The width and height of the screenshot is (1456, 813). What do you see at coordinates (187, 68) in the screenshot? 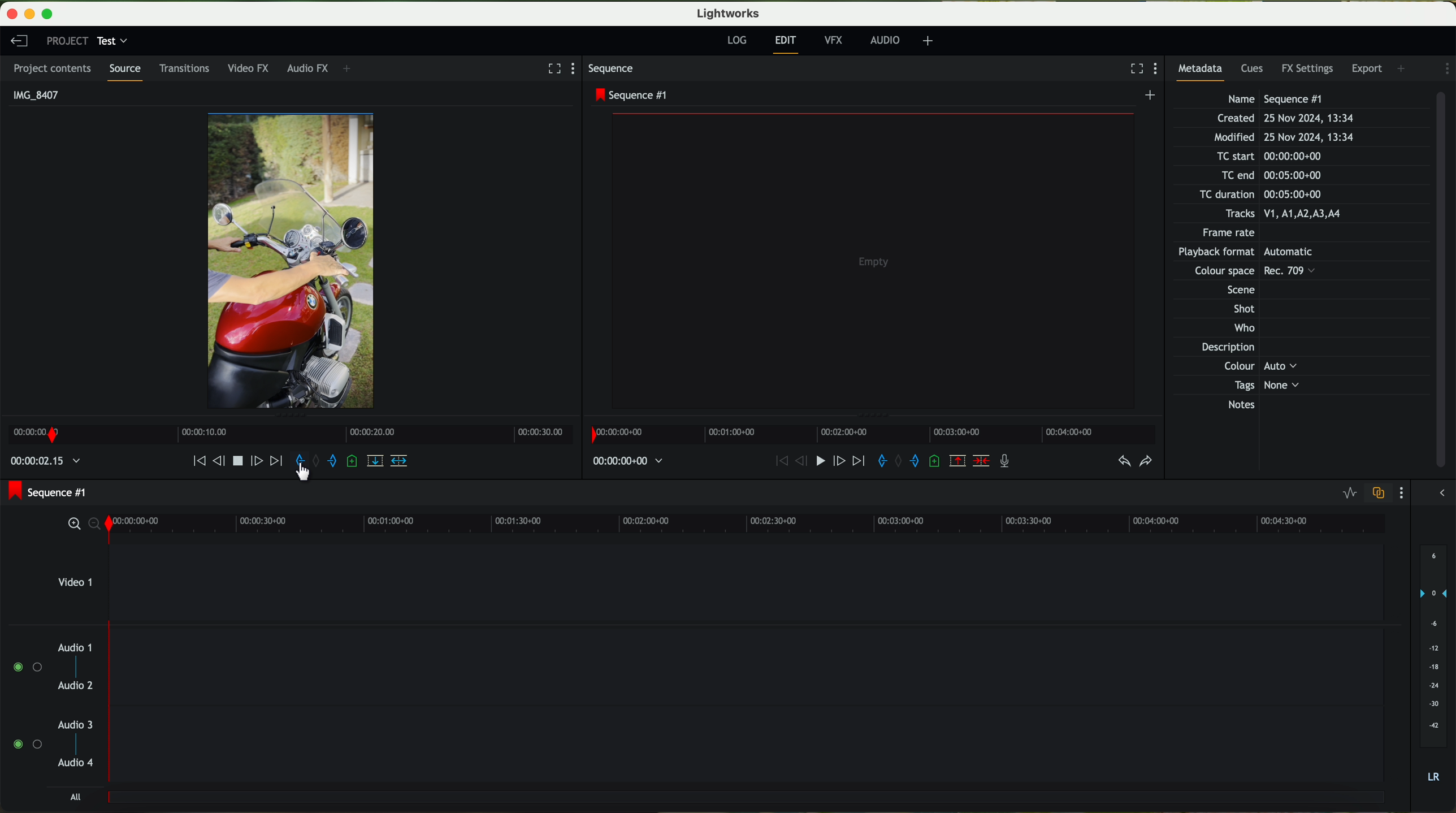
I see `transitions` at bounding box center [187, 68].